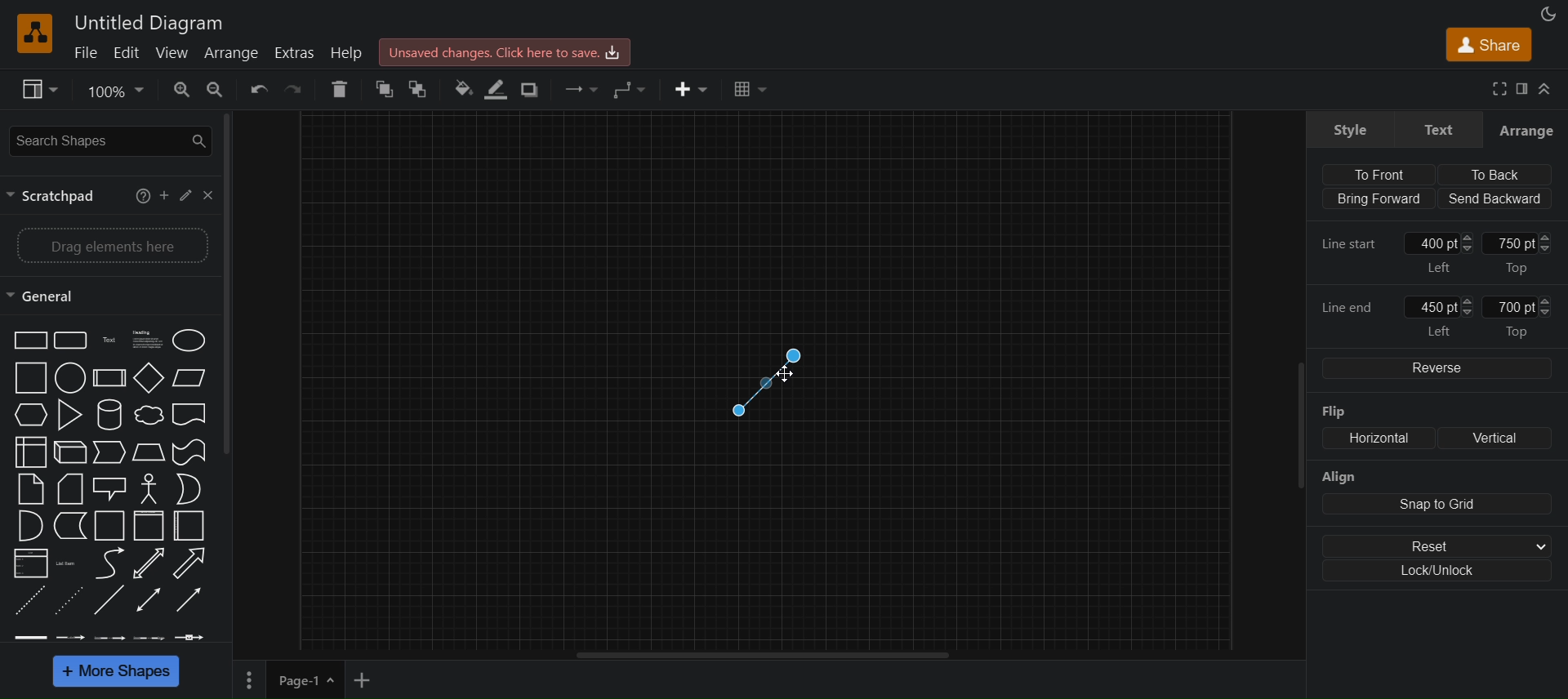 The height and width of the screenshot is (699, 1568). Describe the element at coordinates (176, 52) in the screenshot. I see `view` at that location.